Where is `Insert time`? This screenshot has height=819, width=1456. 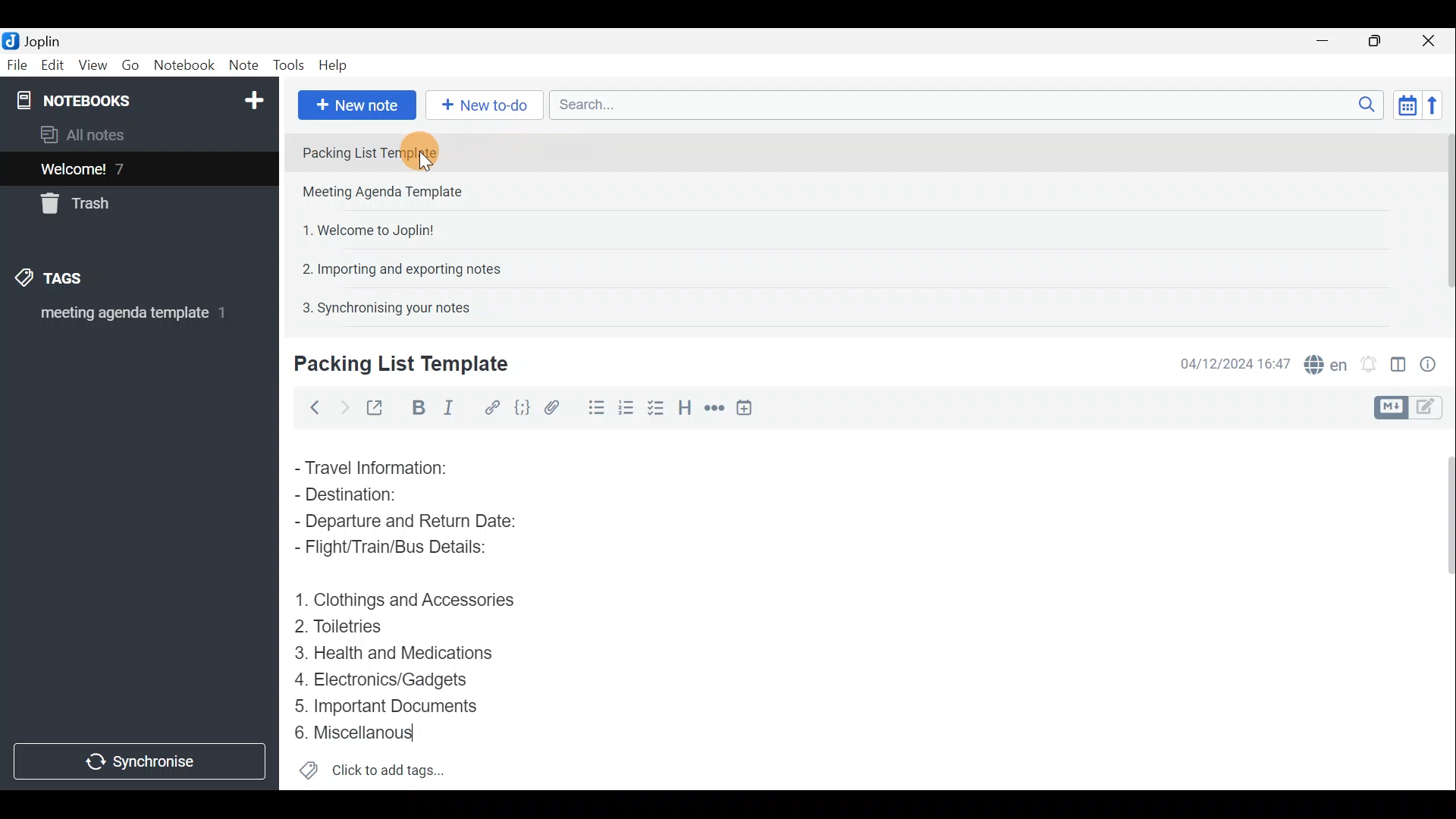 Insert time is located at coordinates (749, 407).